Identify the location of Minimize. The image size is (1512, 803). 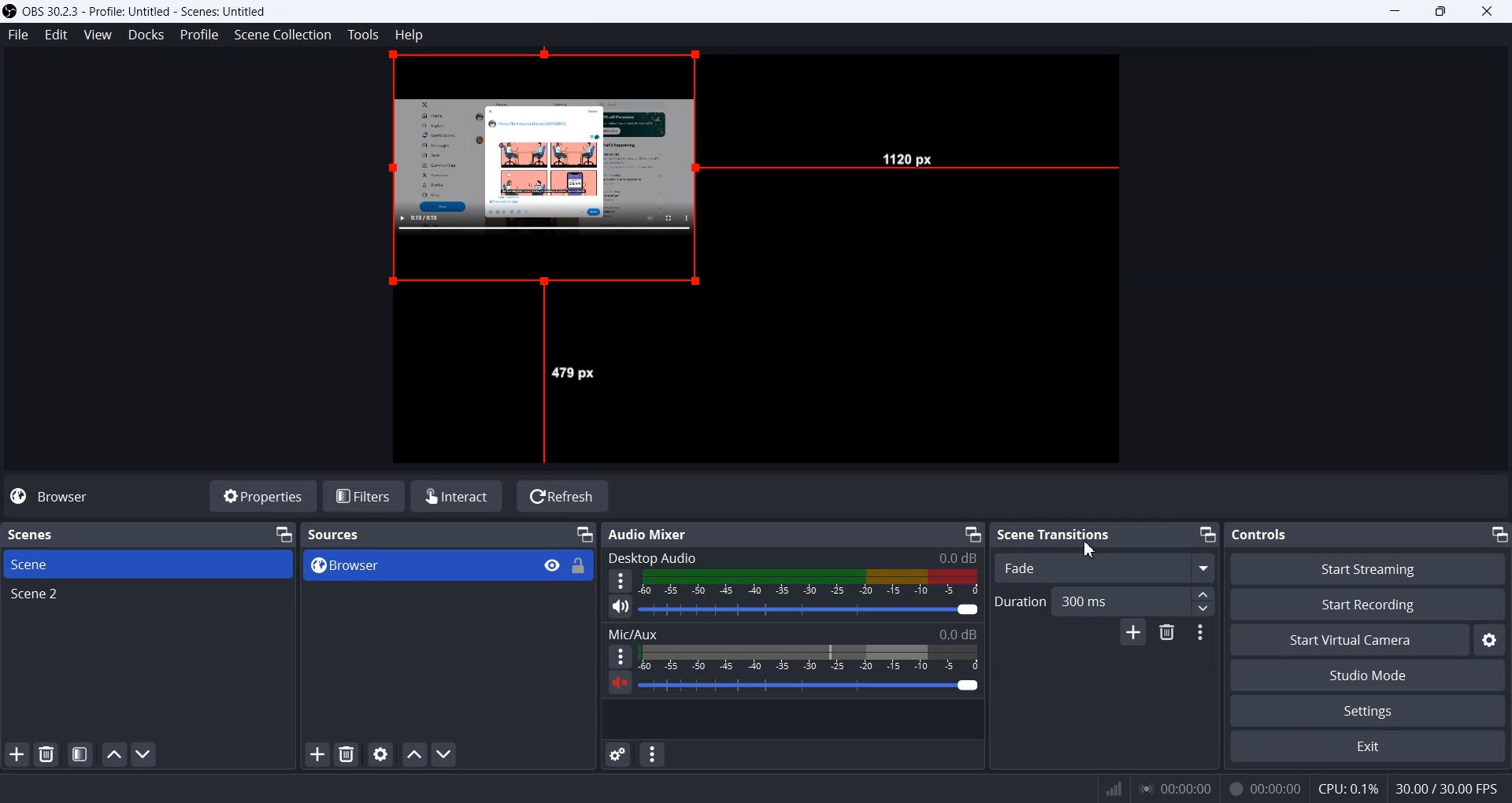
(584, 535).